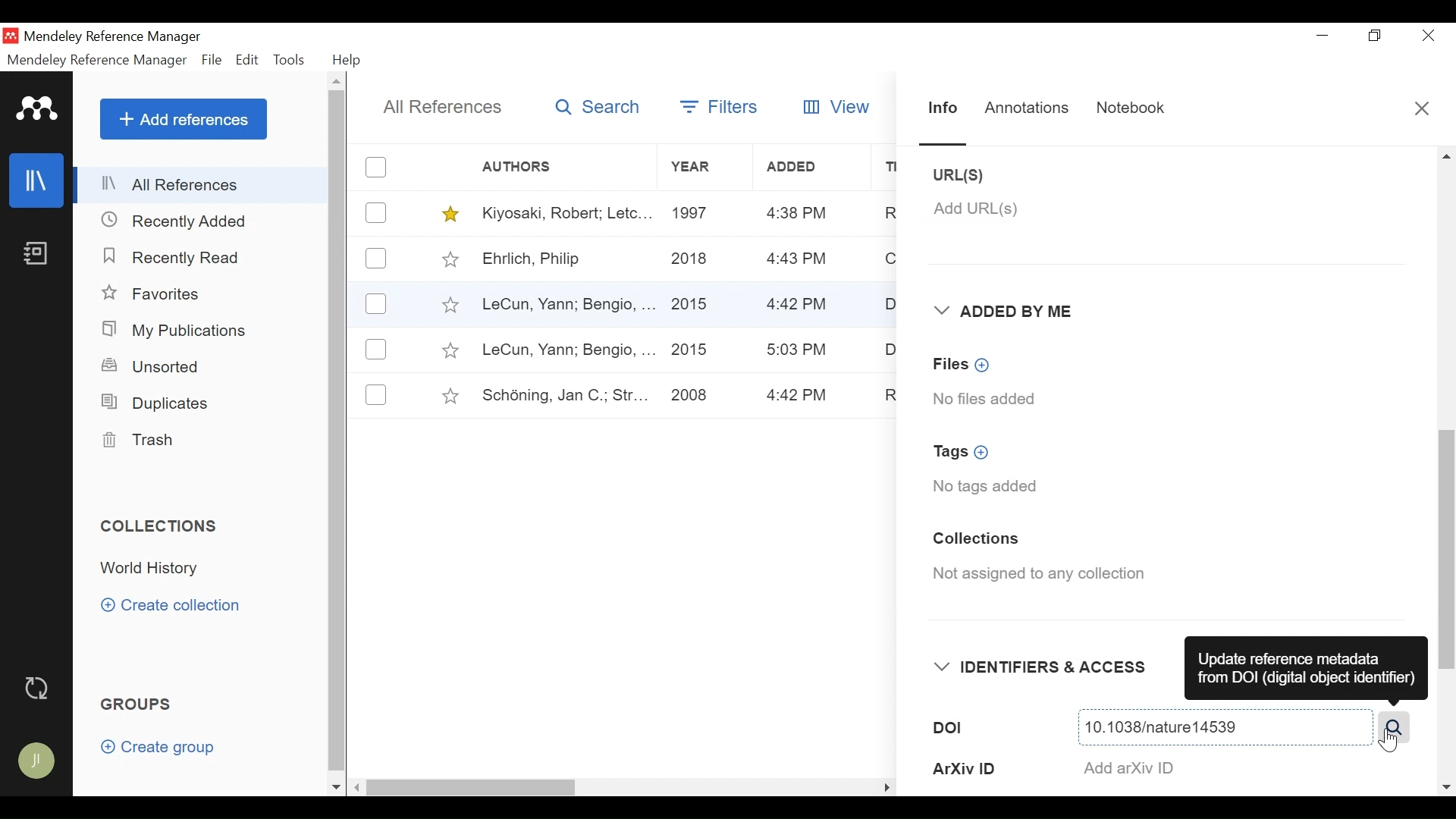 Image resolution: width=1456 pixels, height=819 pixels. What do you see at coordinates (444, 107) in the screenshot?
I see `All References` at bounding box center [444, 107].